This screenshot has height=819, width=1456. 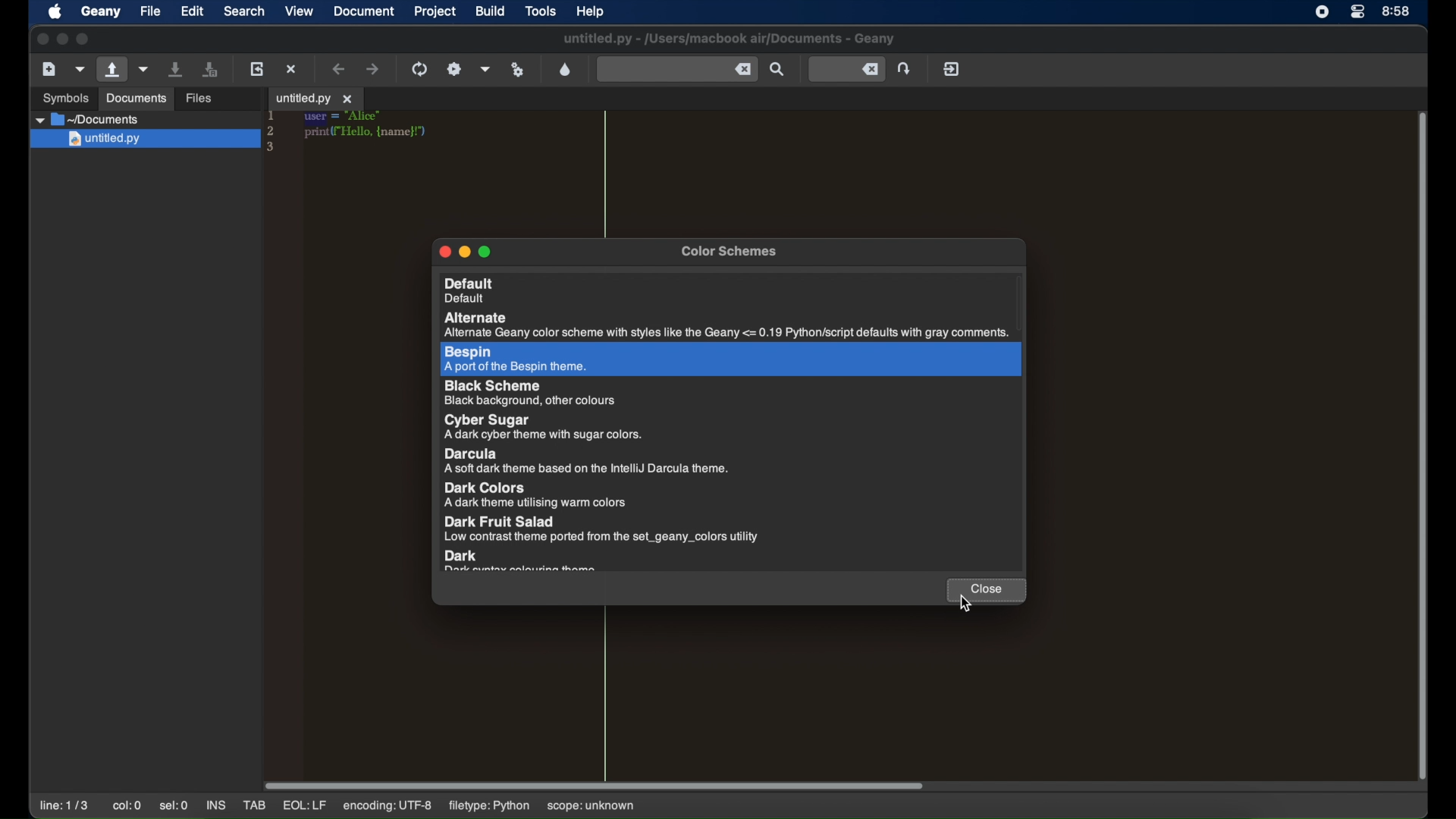 What do you see at coordinates (1323, 12) in the screenshot?
I see `screen recorder icon` at bounding box center [1323, 12].